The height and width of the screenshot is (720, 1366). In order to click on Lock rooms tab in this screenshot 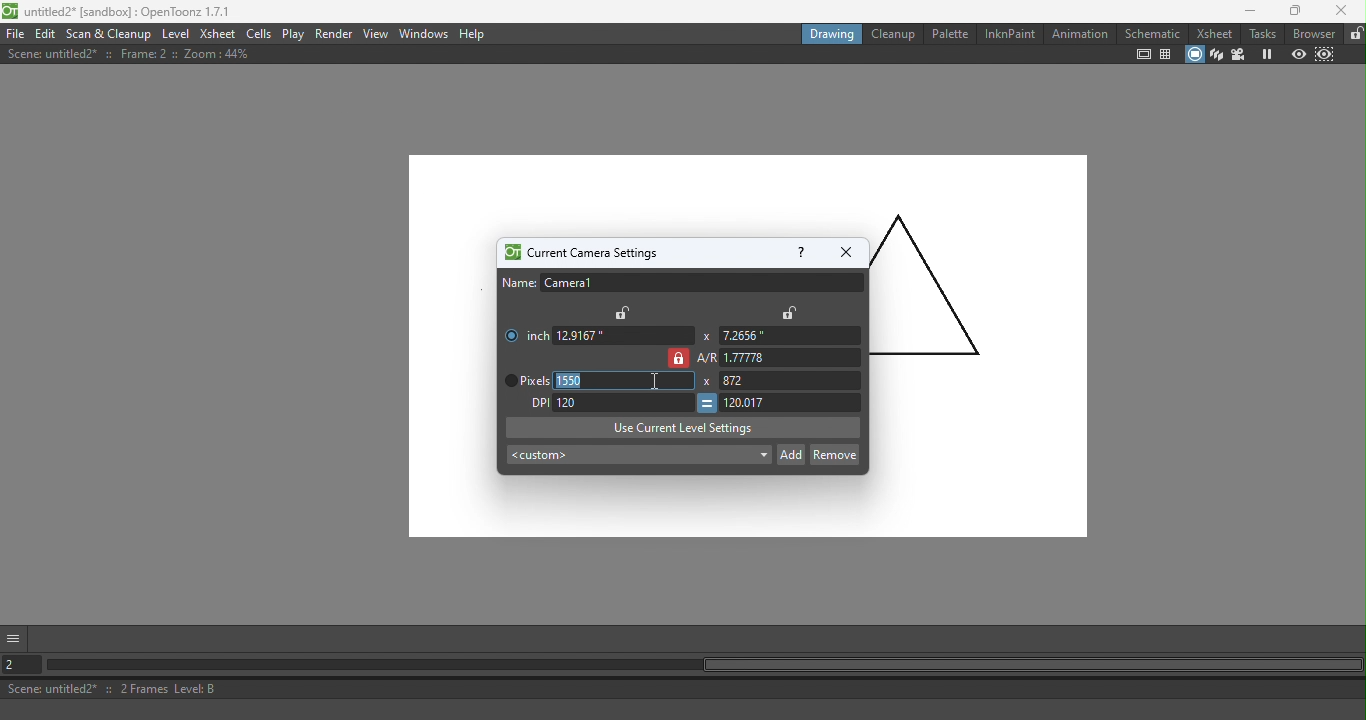, I will do `click(1354, 34)`.